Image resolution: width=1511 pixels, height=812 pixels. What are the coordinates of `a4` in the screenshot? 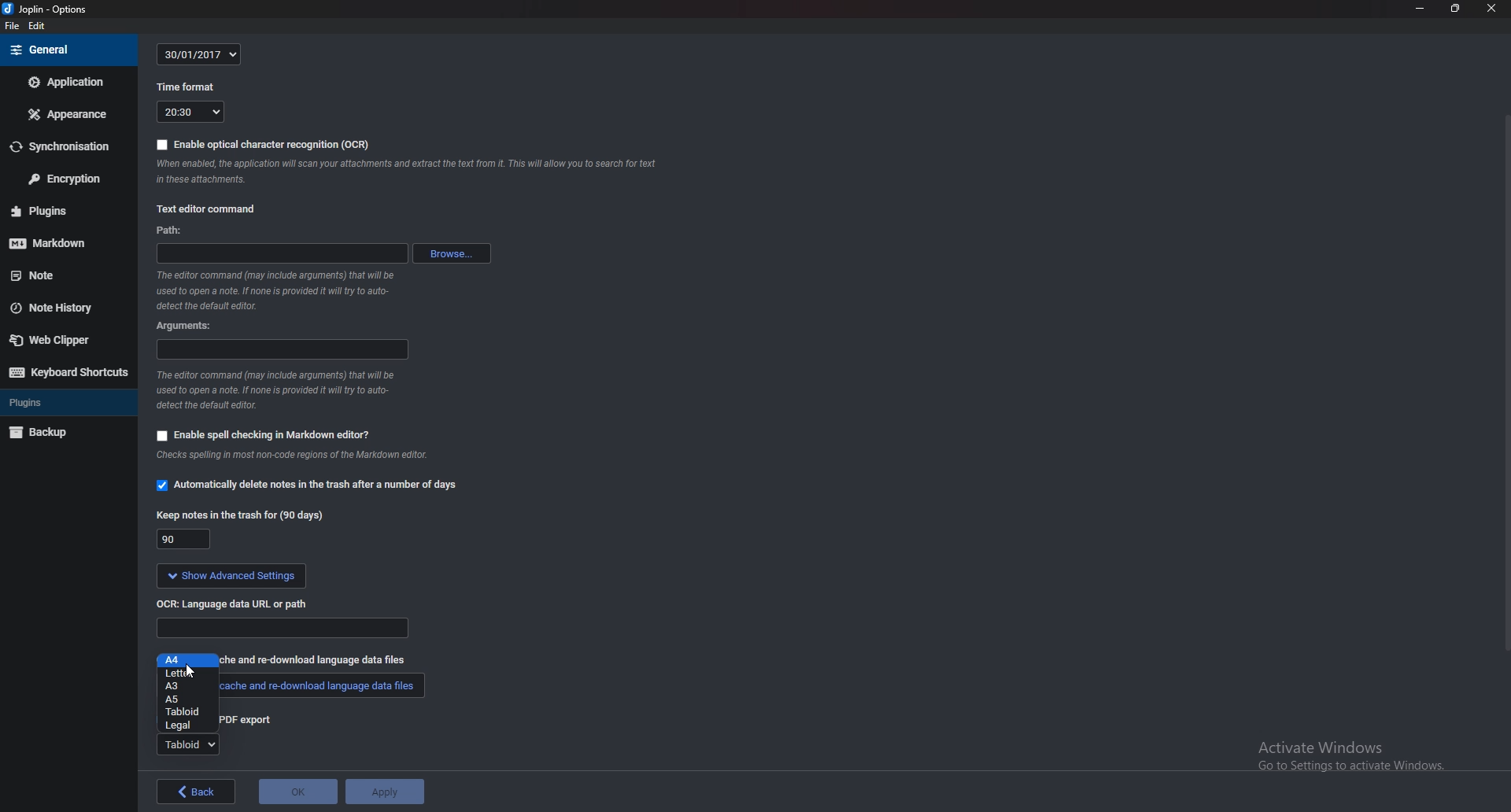 It's located at (190, 659).